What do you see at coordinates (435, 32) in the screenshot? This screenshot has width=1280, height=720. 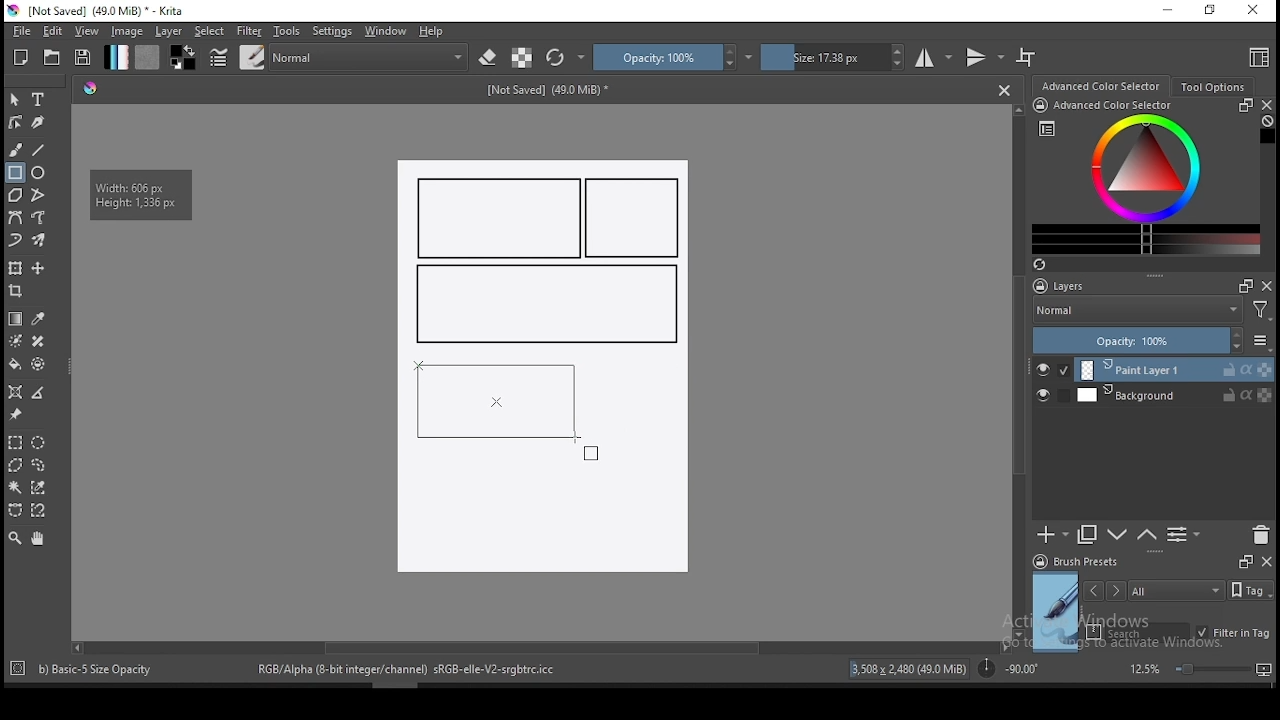 I see `help` at bounding box center [435, 32].